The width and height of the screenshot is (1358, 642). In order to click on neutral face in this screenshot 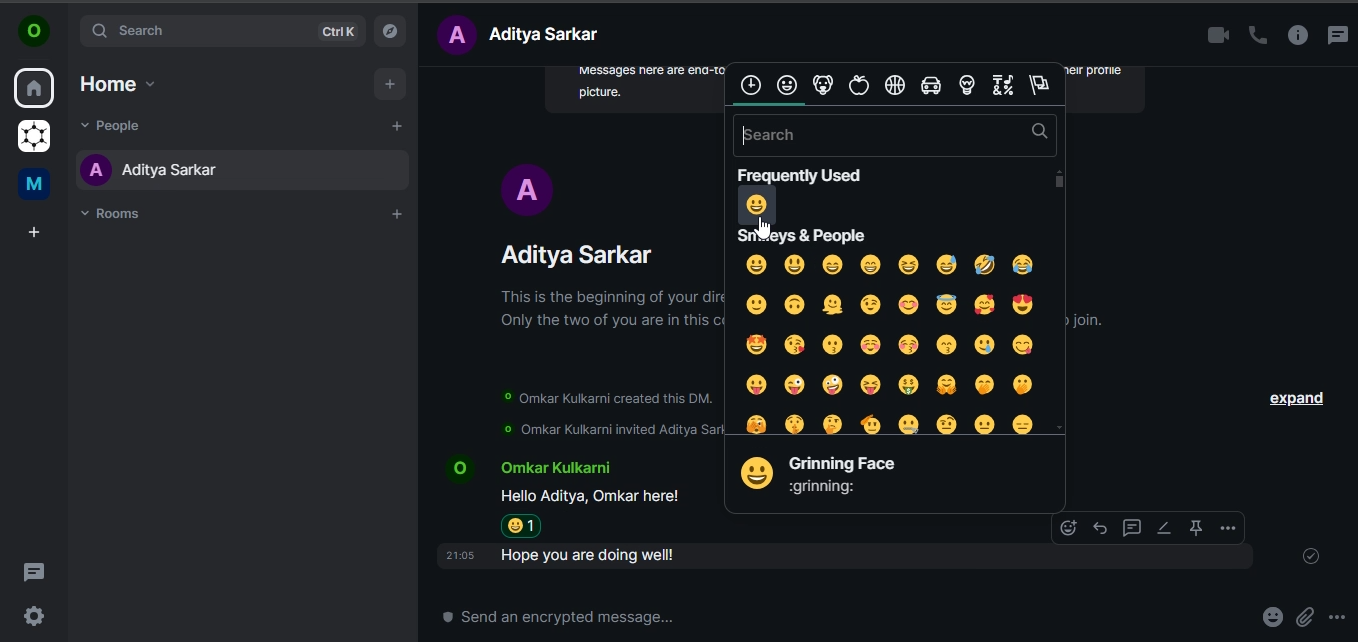, I will do `click(984, 426)`.